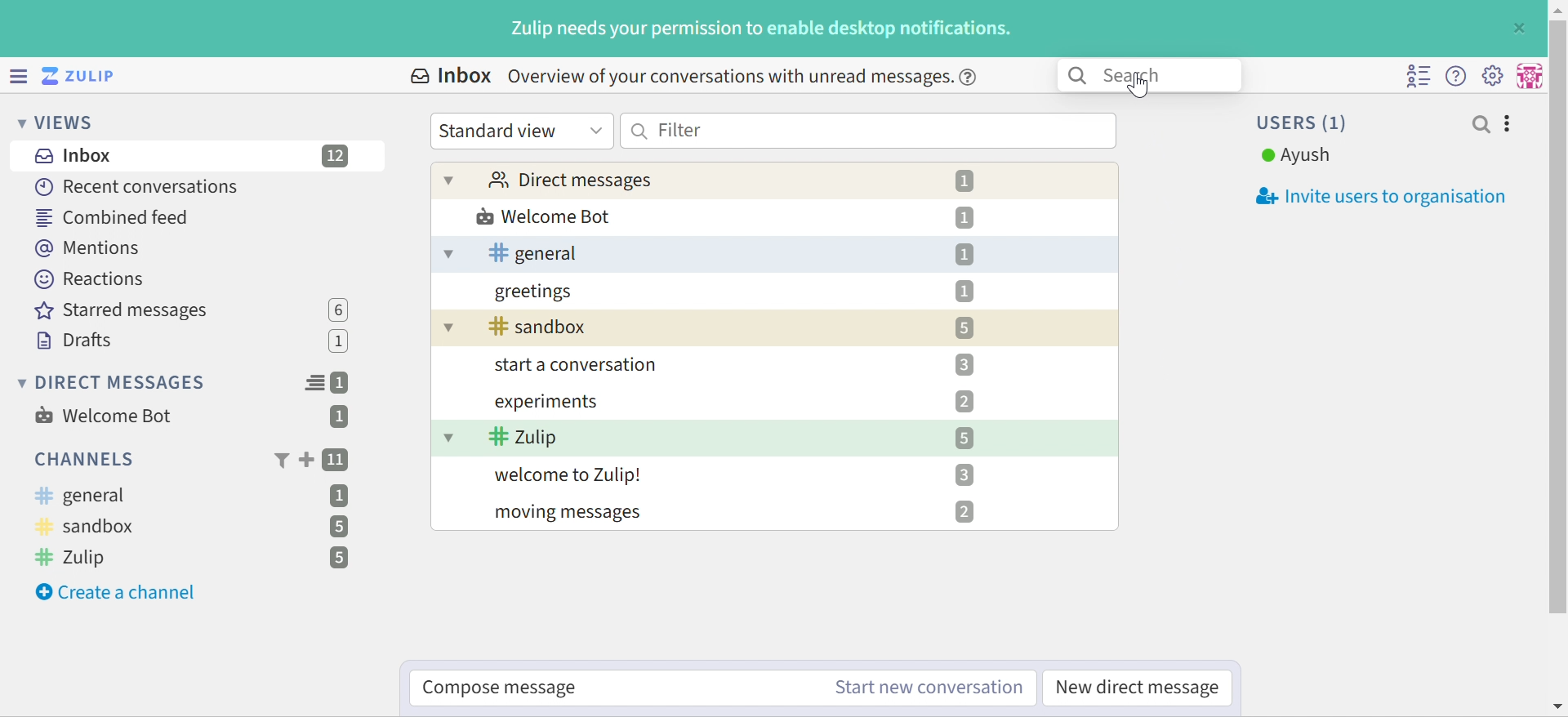 This screenshot has width=1568, height=717. Describe the element at coordinates (1558, 706) in the screenshot. I see `Scroll down` at that location.